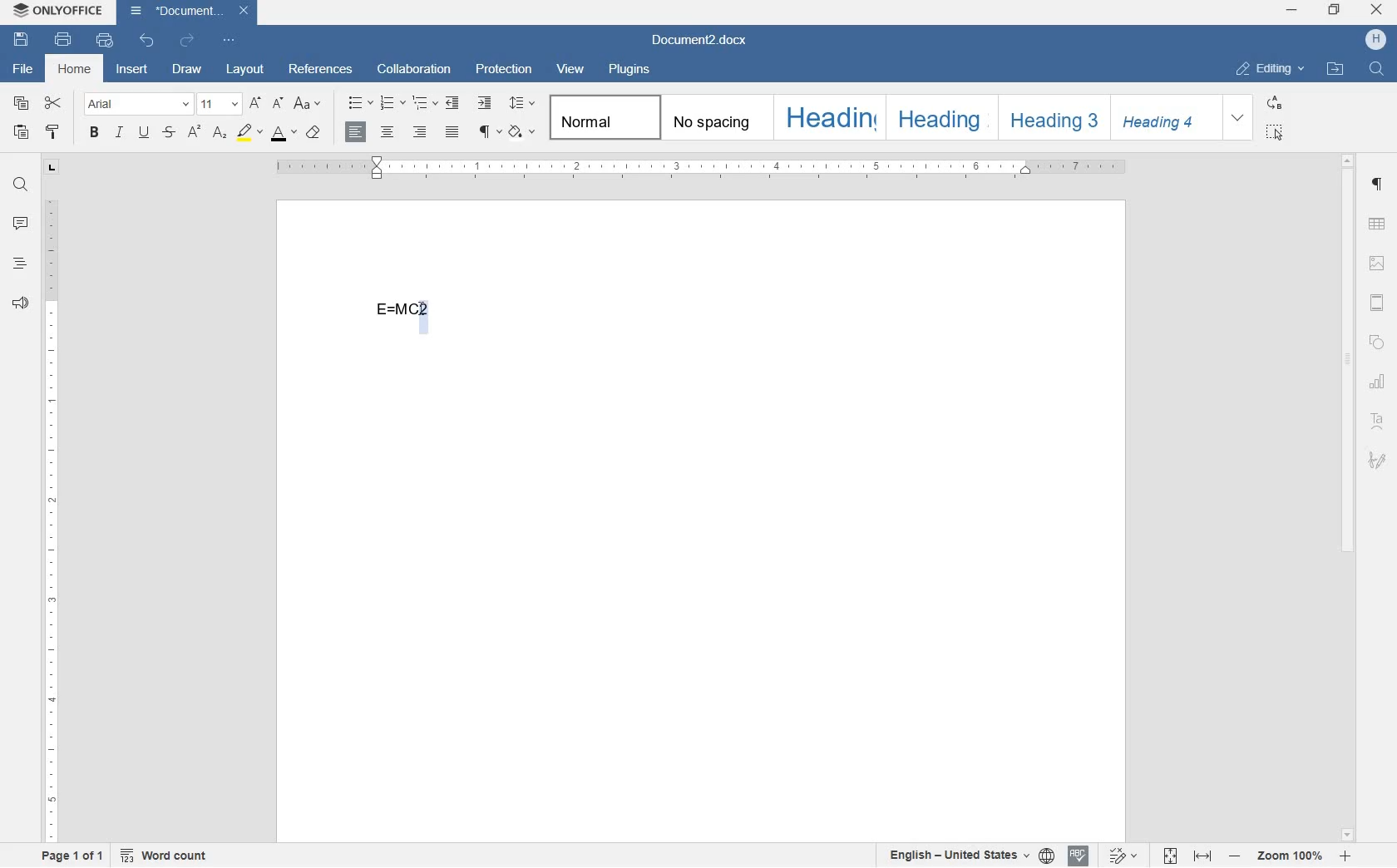 The image size is (1397, 868). I want to click on find, so click(1375, 68).